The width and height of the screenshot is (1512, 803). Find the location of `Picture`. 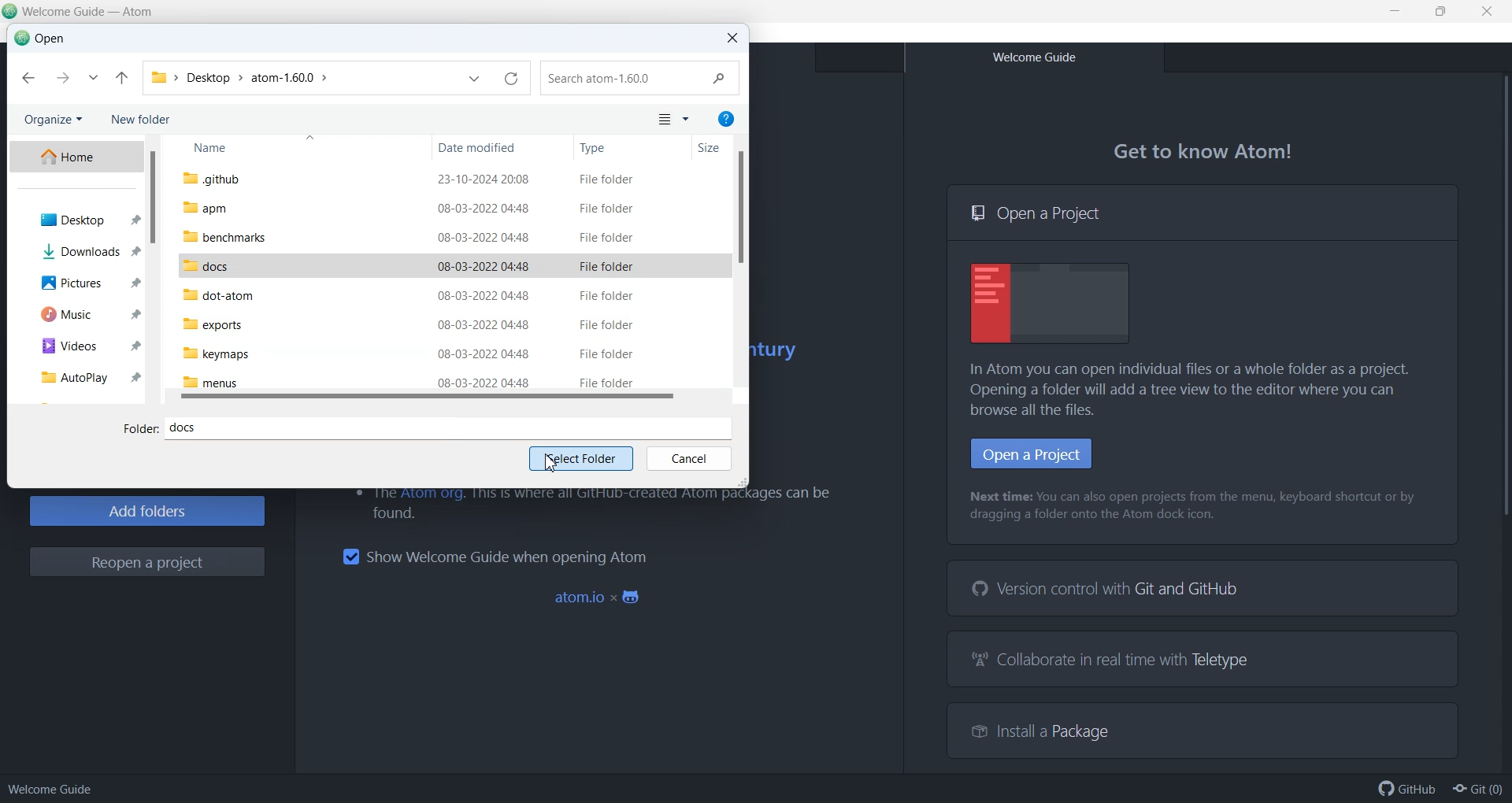

Picture is located at coordinates (77, 282).